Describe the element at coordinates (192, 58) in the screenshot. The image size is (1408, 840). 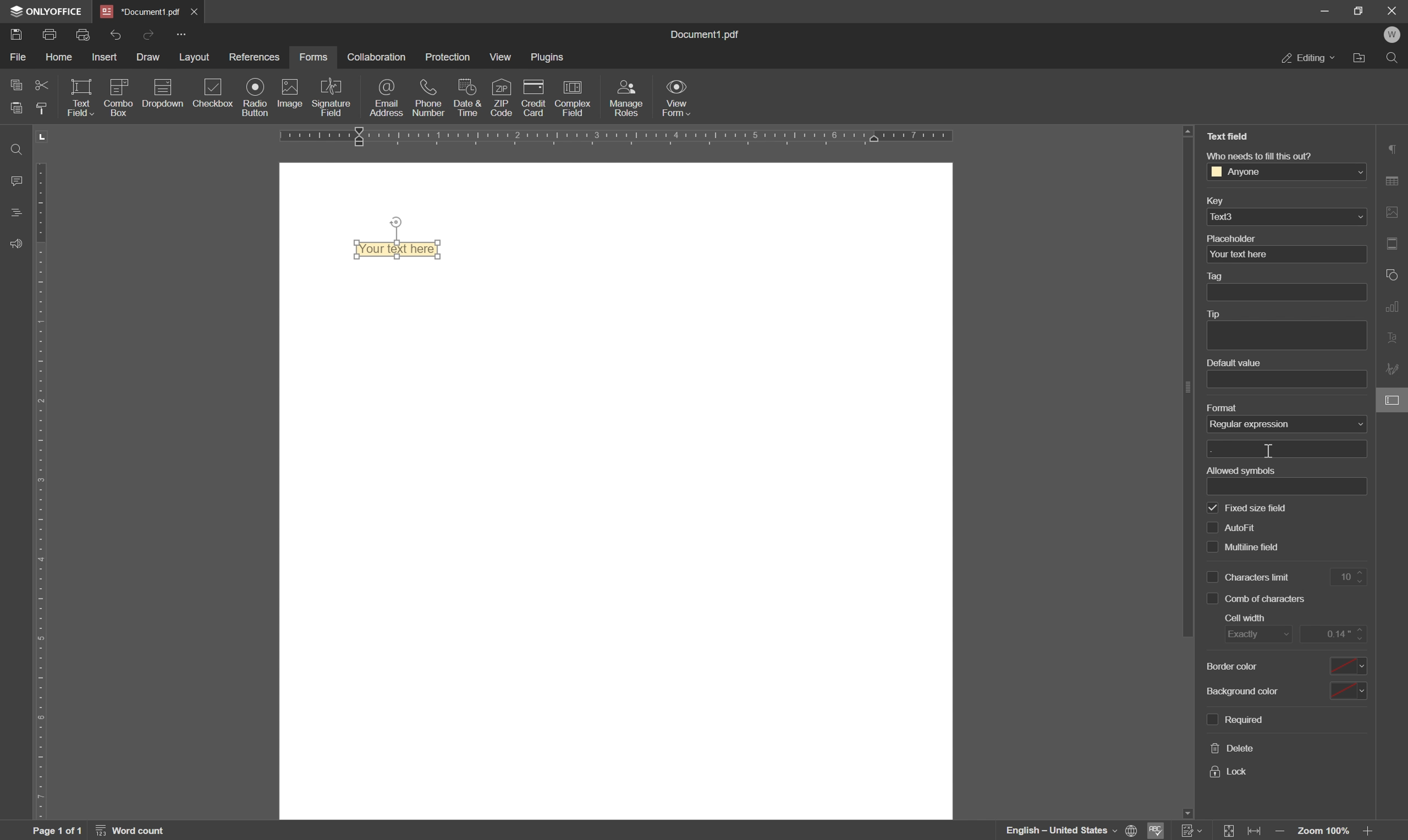
I see `layout` at that location.